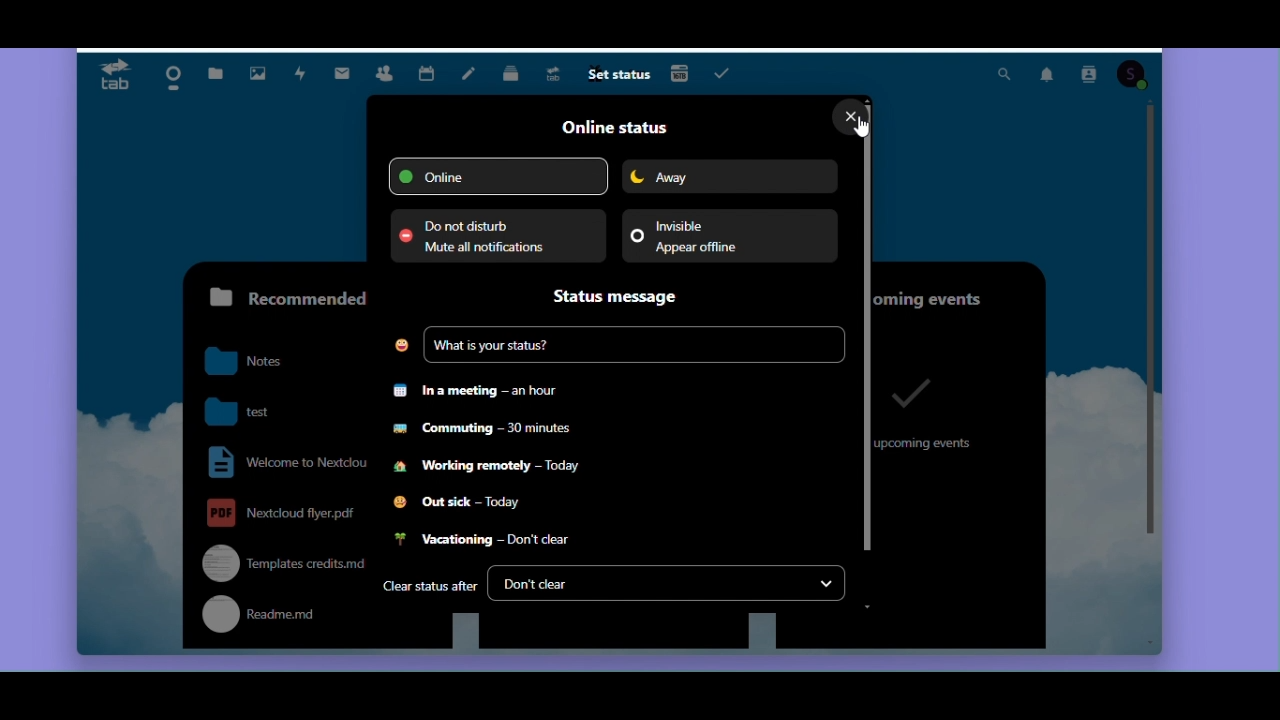  What do you see at coordinates (111, 82) in the screenshot?
I see `` at bounding box center [111, 82].